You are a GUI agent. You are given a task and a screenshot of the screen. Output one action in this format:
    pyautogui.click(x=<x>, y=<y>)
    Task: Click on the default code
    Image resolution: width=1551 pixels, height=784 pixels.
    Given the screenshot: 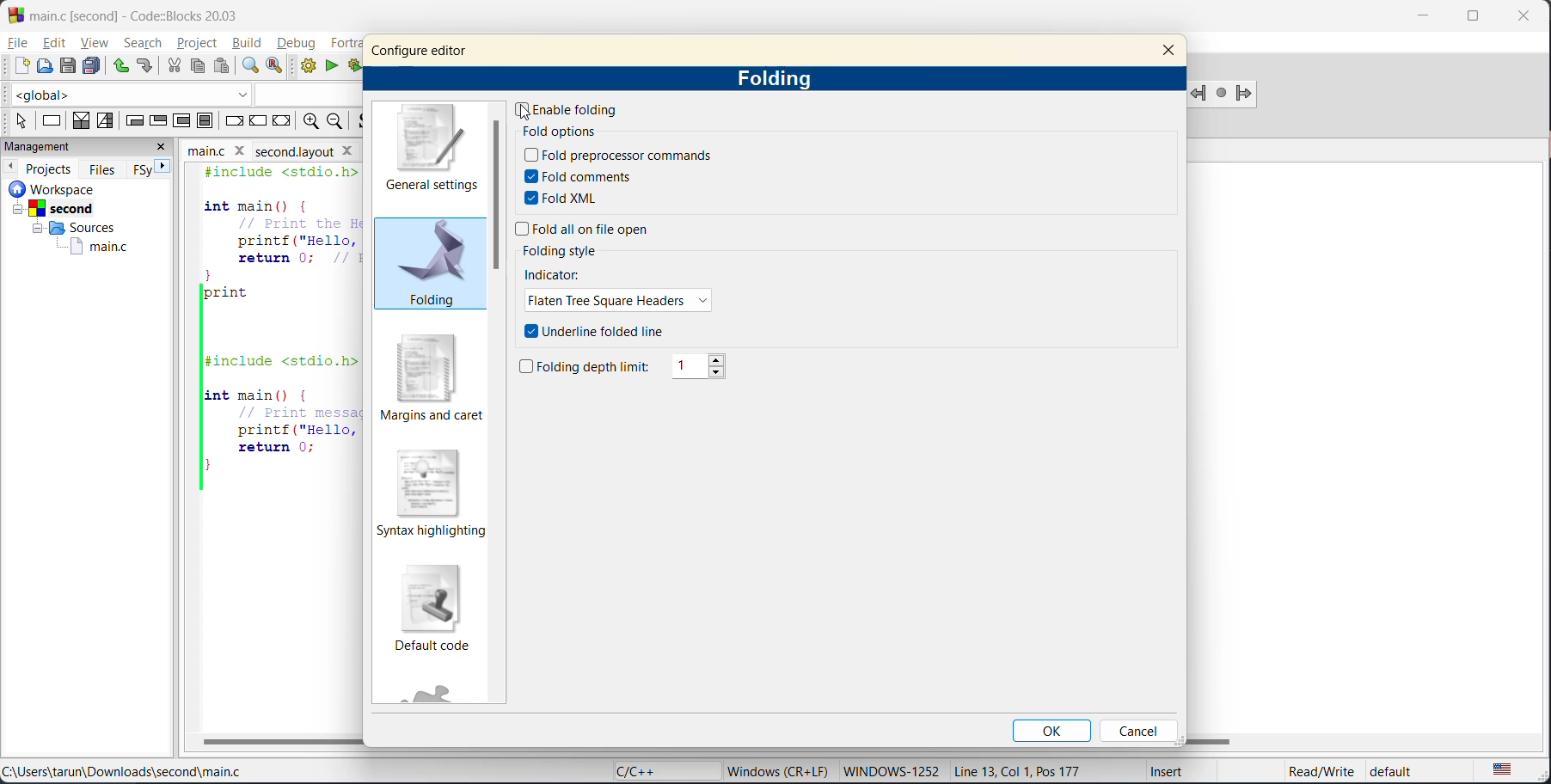 What is the action you would take?
    pyautogui.click(x=431, y=613)
    